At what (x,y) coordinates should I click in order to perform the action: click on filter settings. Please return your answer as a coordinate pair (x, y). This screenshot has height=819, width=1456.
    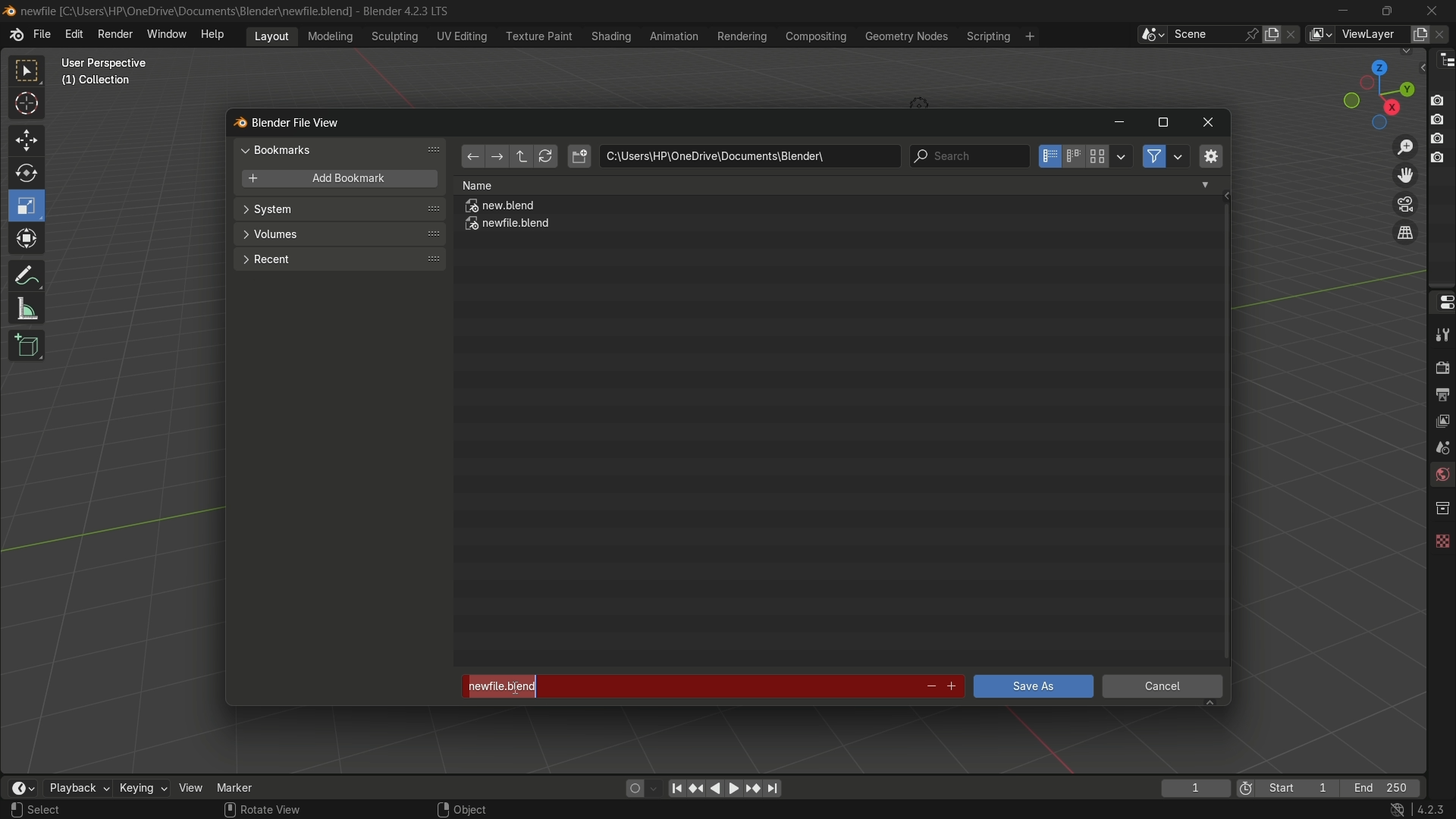
    Looking at the image, I should click on (1179, 156).